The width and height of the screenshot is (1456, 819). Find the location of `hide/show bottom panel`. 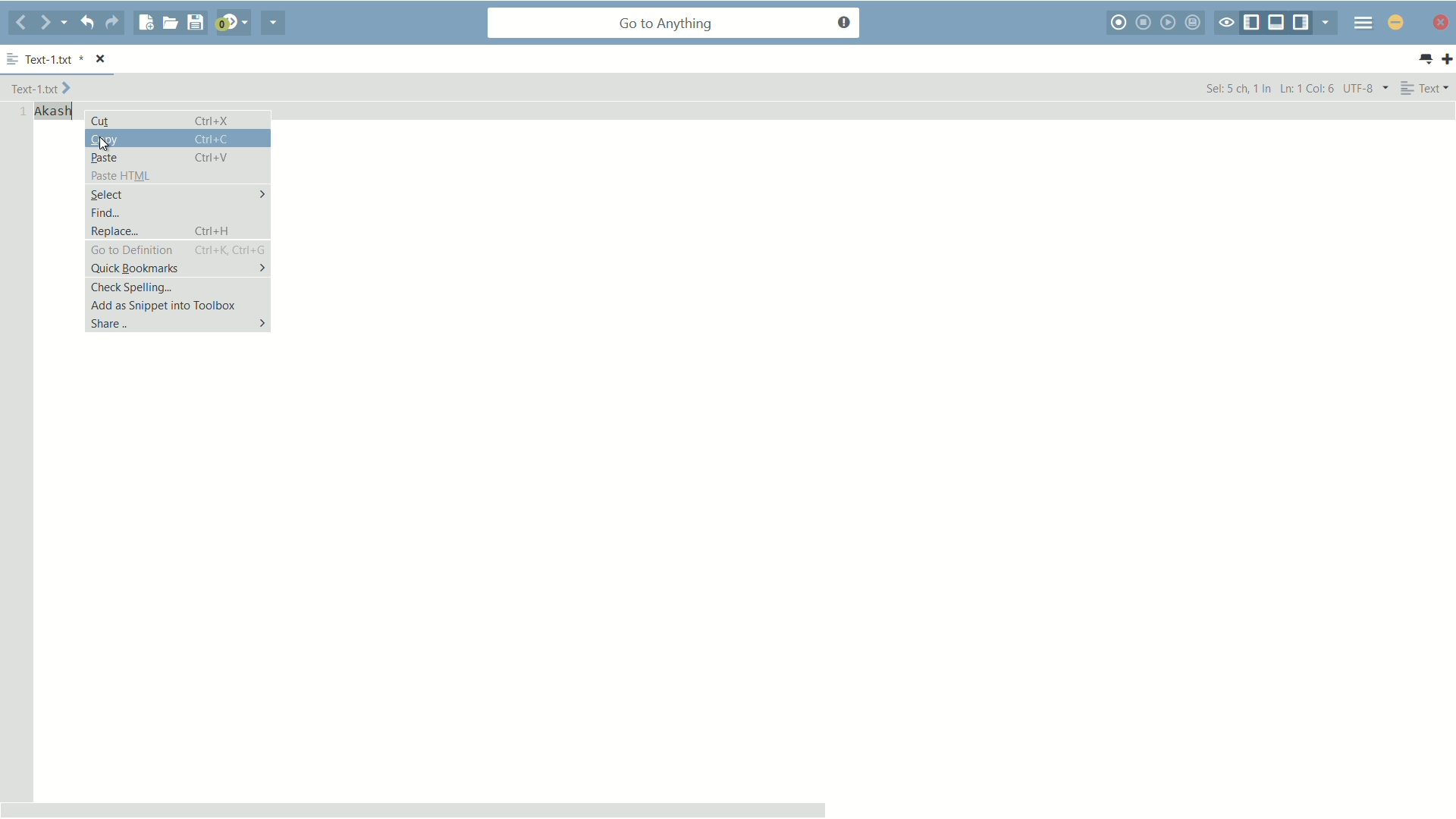

hide/show bottom panel is located at coordinates (1277, 23).